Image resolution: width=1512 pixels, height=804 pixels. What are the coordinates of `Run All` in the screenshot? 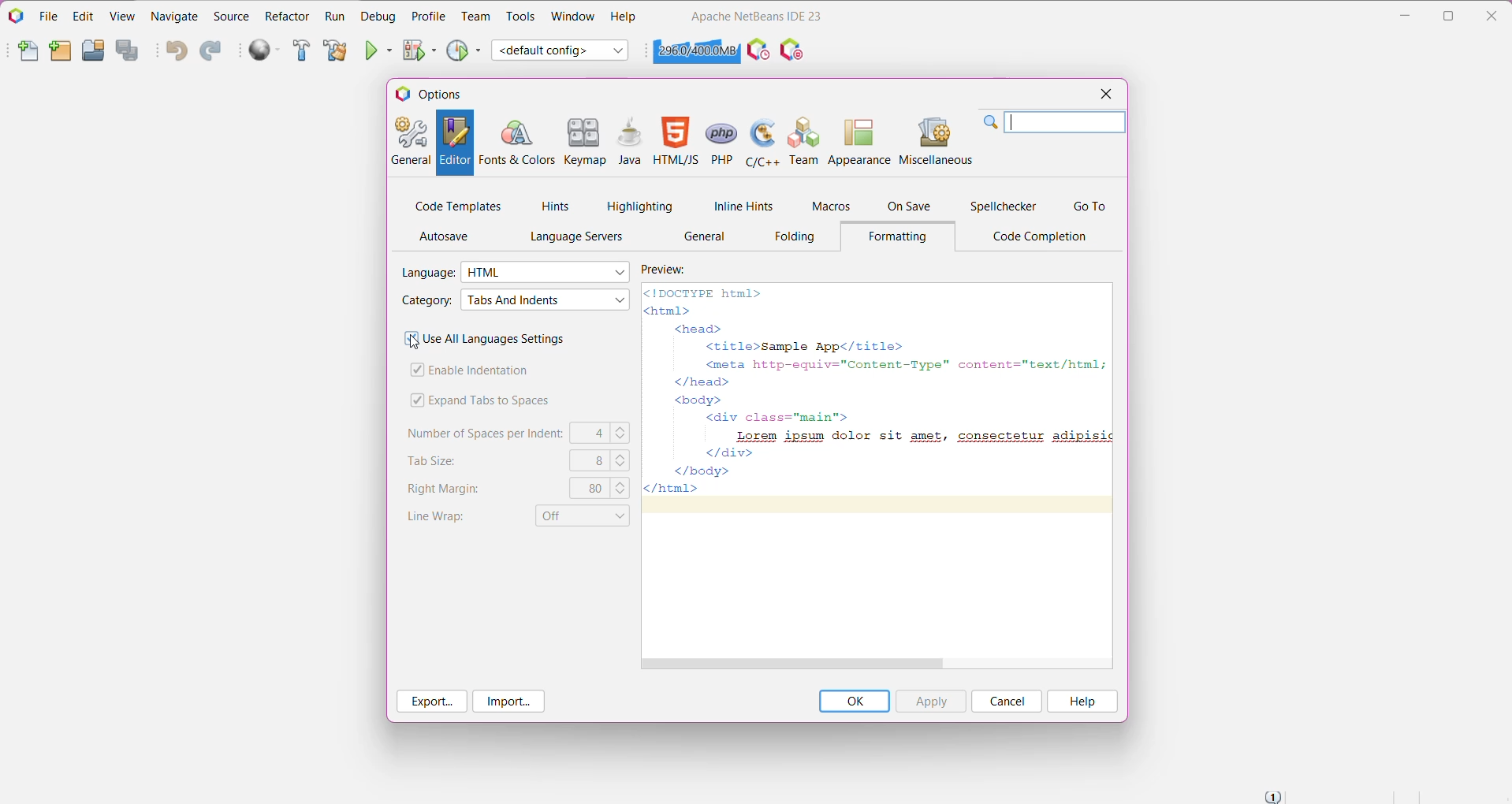 It's located at (266, 50).